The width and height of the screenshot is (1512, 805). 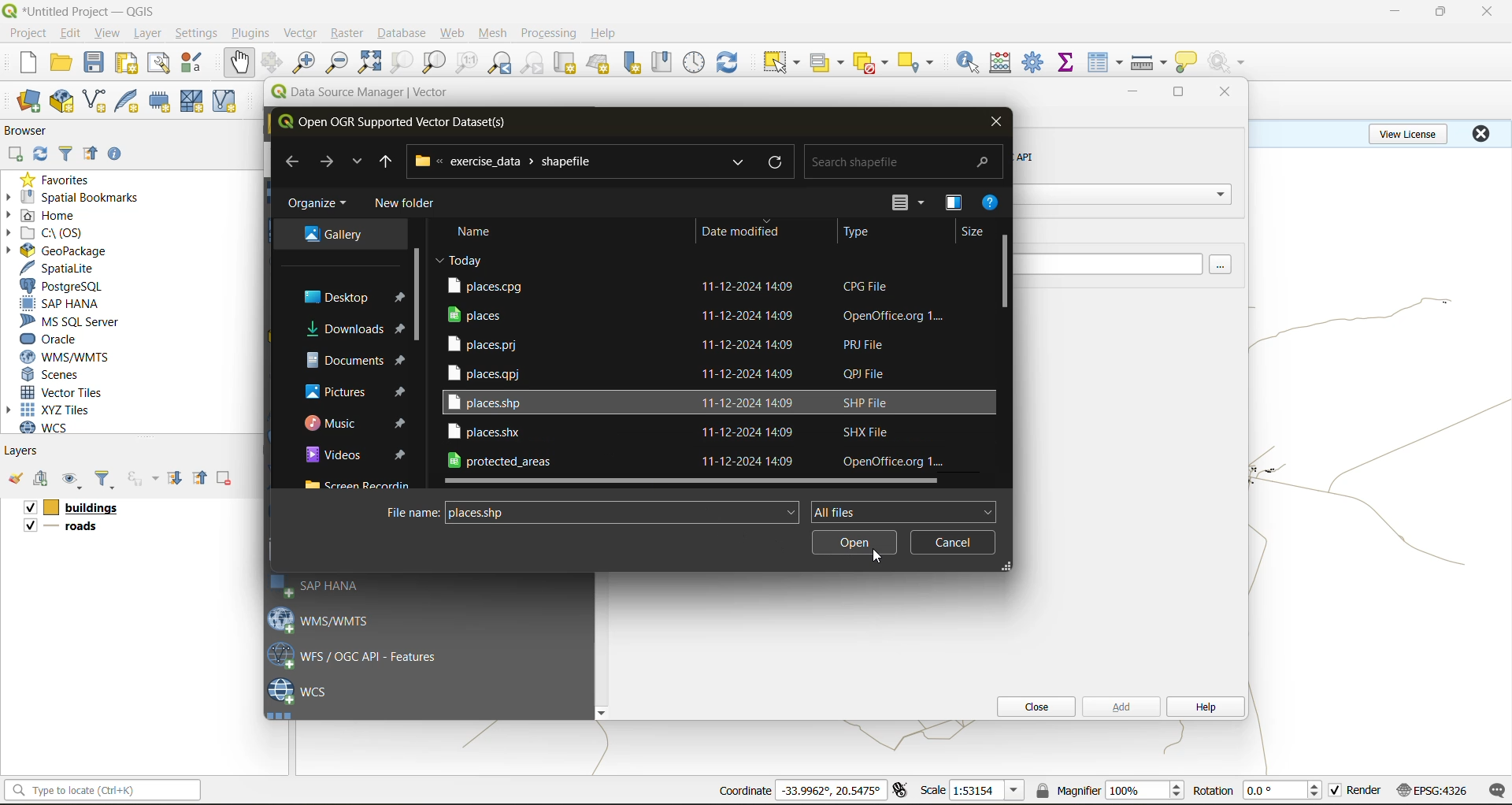 What do you see at coordinates (32, 133) in the screenshot?
I see `browser` at bounding box center [32, 133].